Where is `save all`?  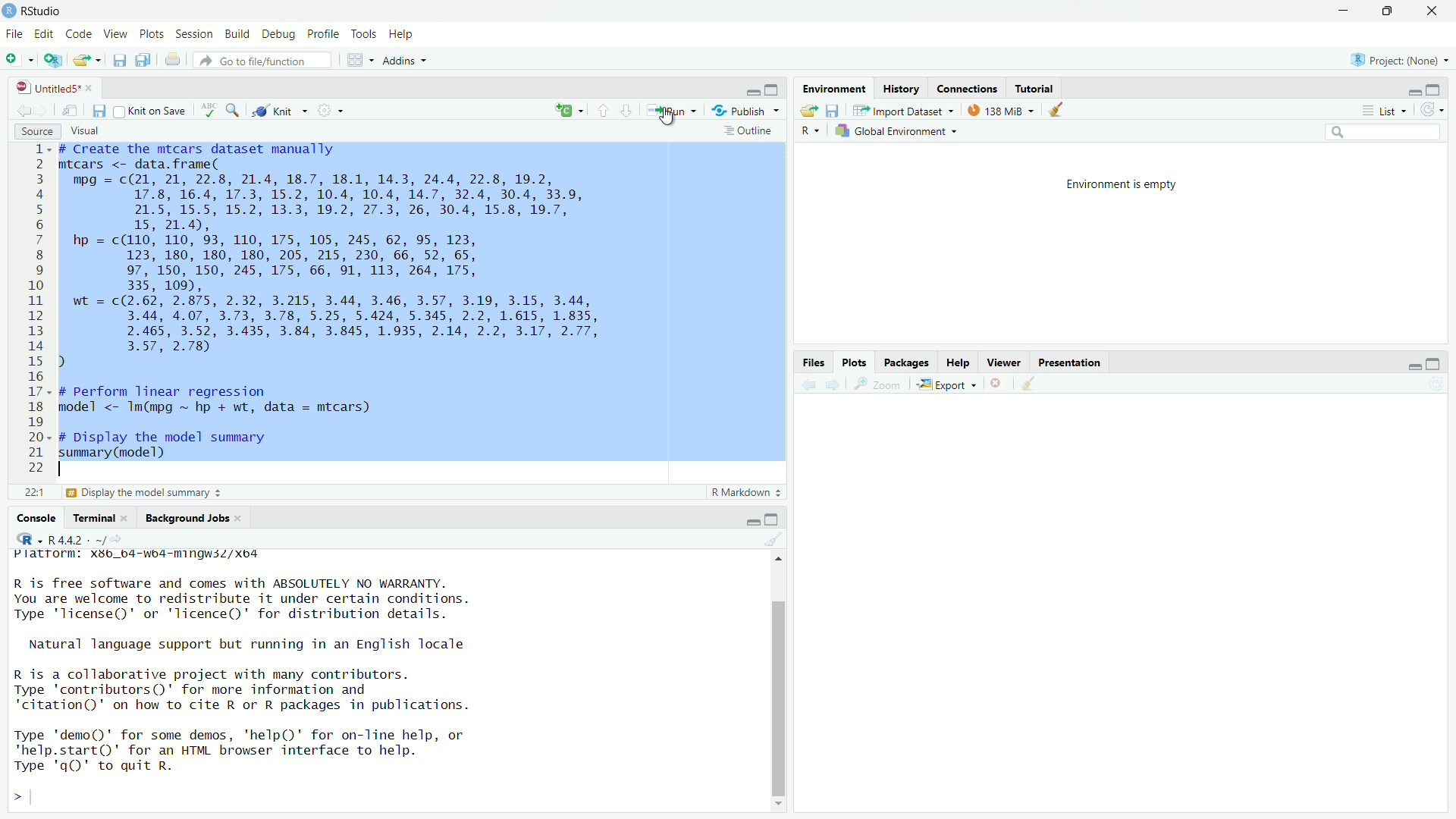 save all is located at coordinates (146, 59).